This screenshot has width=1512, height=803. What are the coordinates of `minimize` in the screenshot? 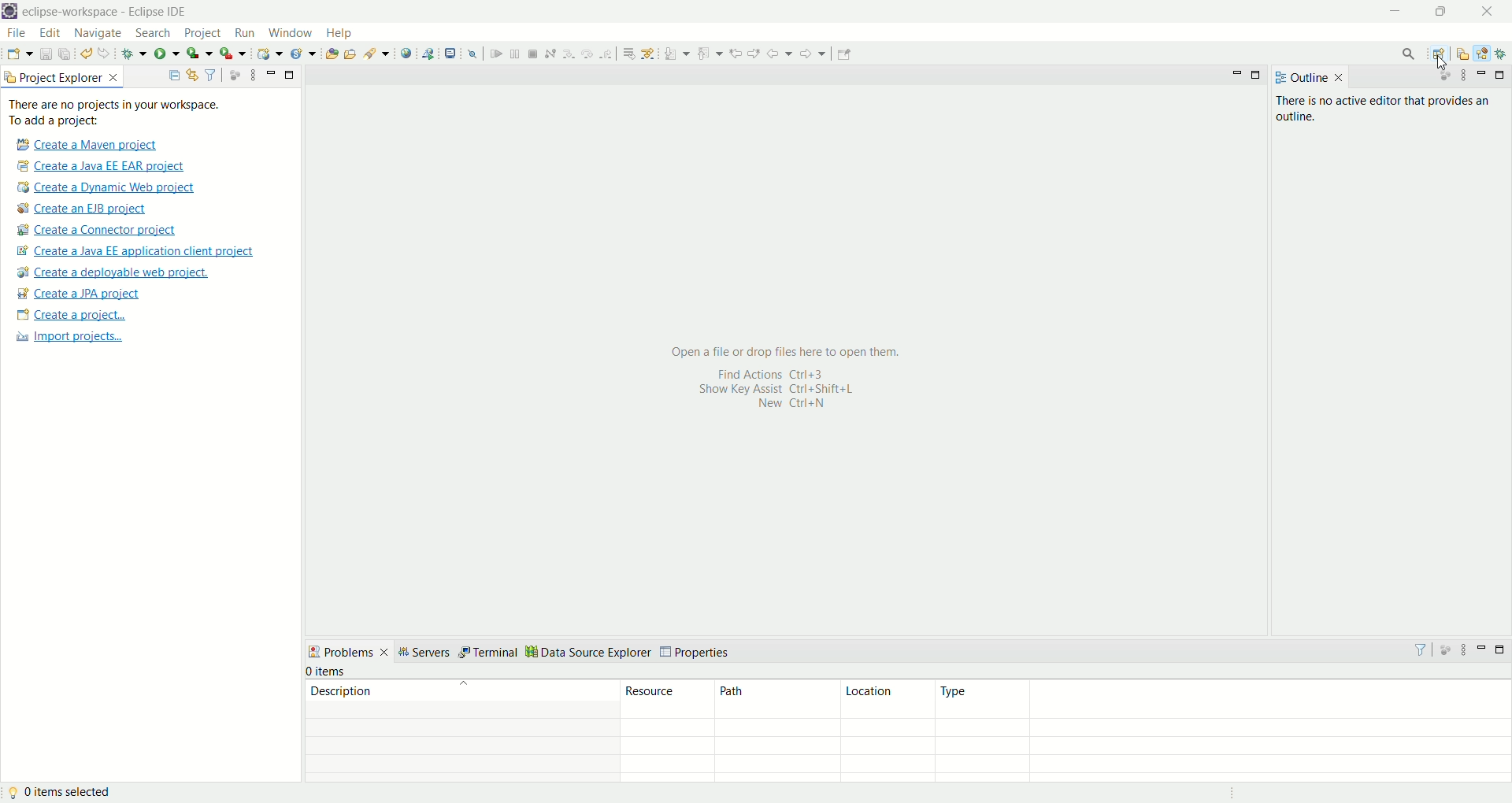 It's located at (1482, 73).